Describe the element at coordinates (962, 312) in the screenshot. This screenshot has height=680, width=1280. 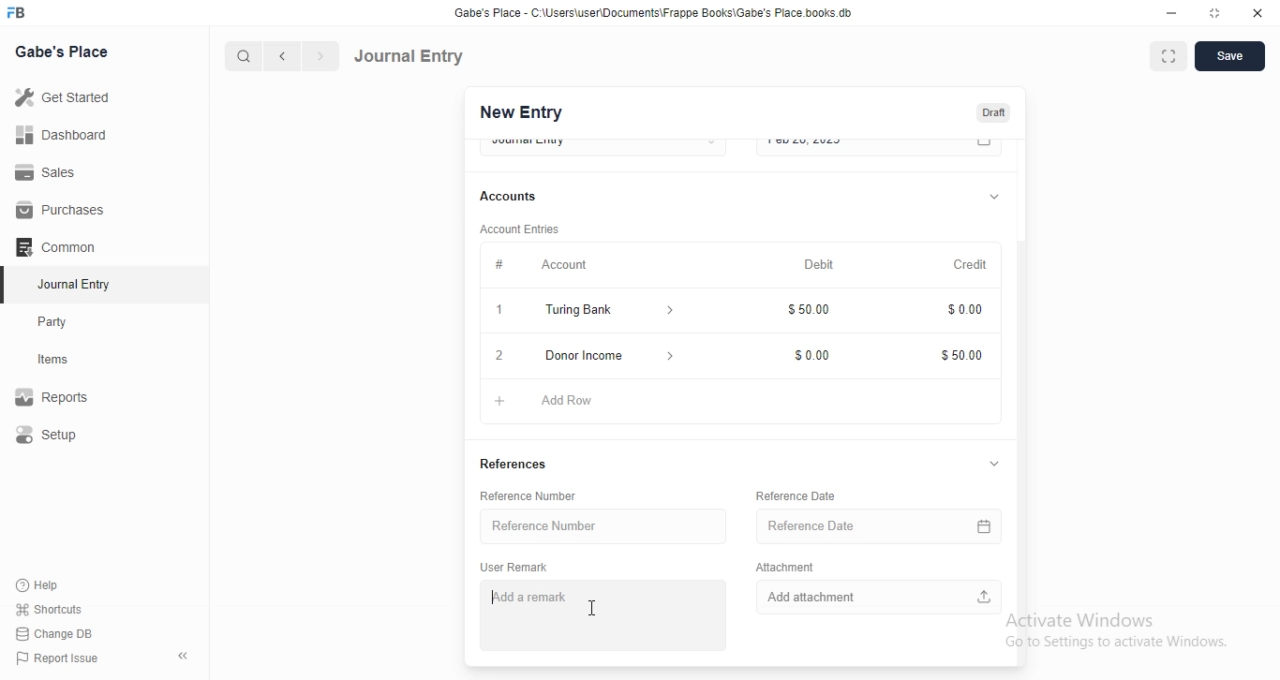
I see `$000` at that location.